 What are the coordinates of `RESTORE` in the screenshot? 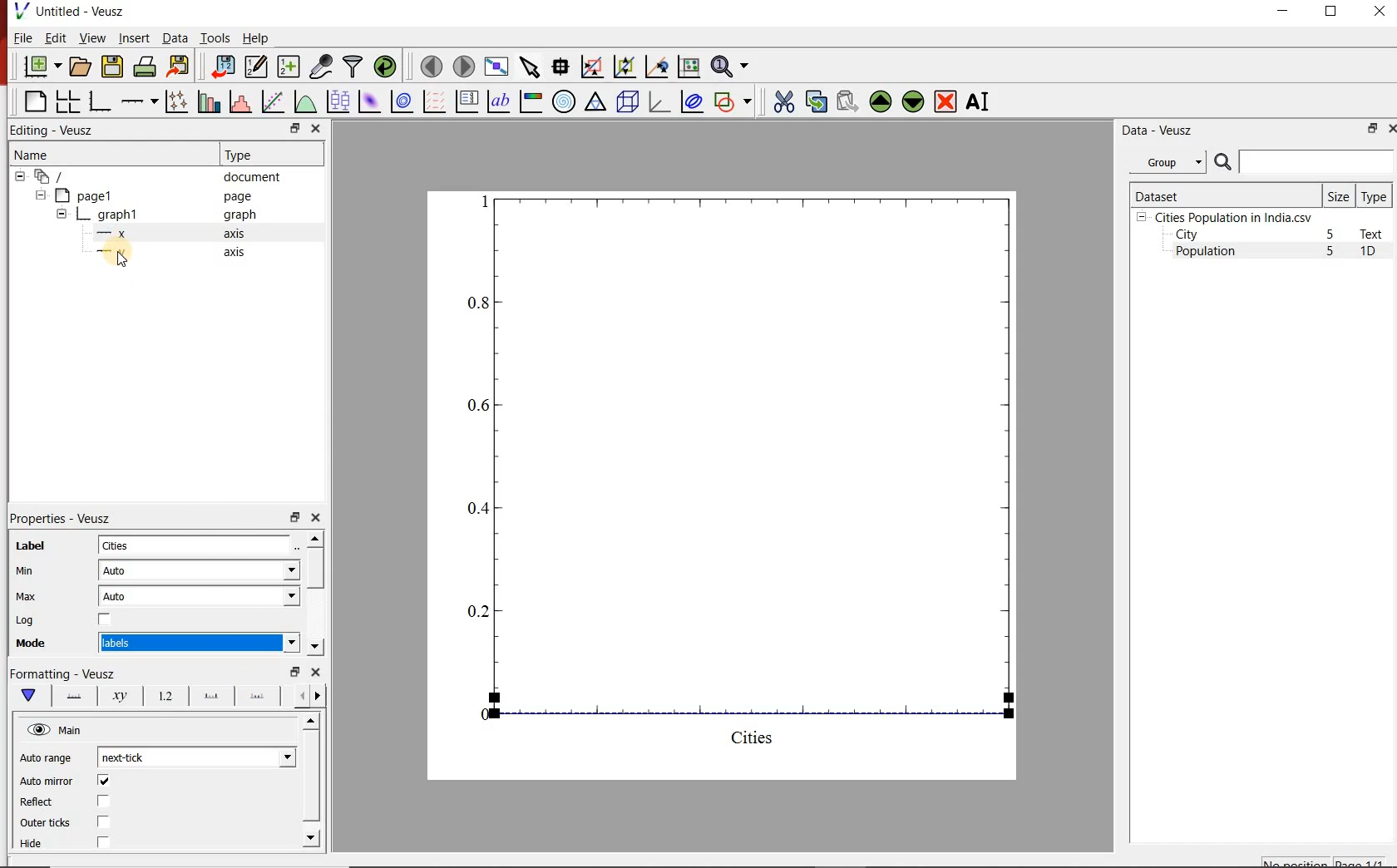 It's located at (1331, 12).